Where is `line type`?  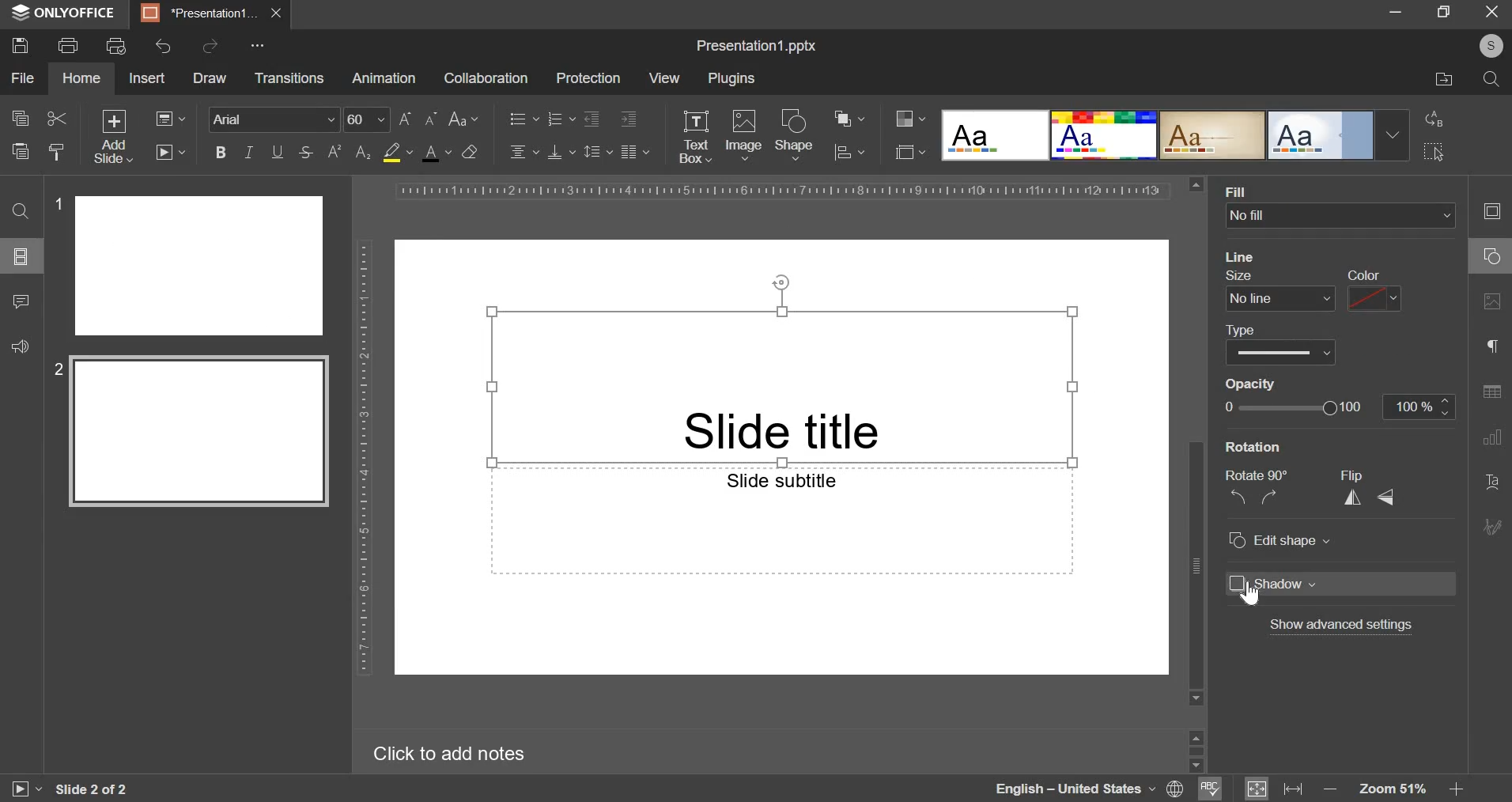
line type is located at coordinates (1280, 344).